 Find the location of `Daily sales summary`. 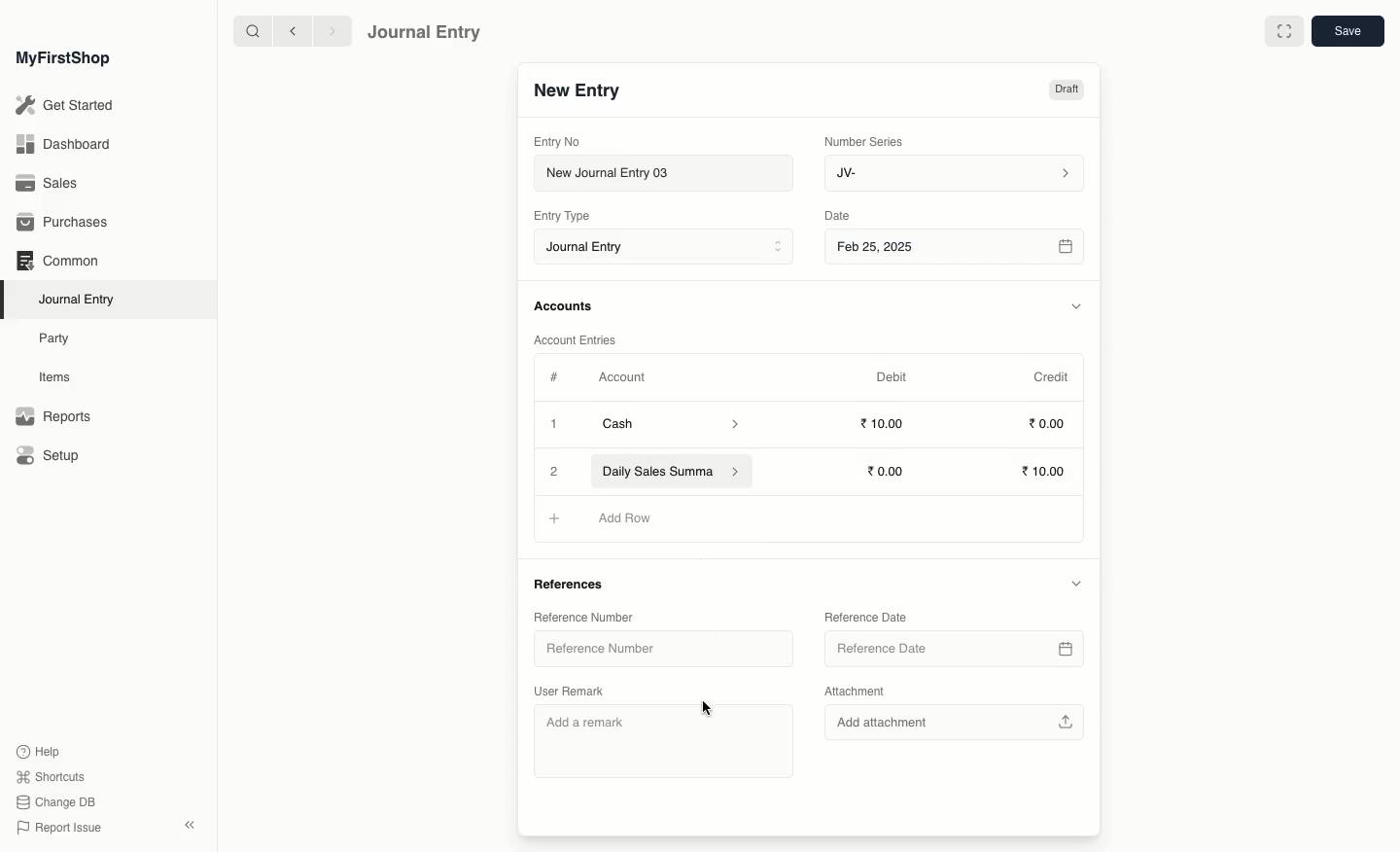

Daily sales summary is located at coordinates (673, 473).